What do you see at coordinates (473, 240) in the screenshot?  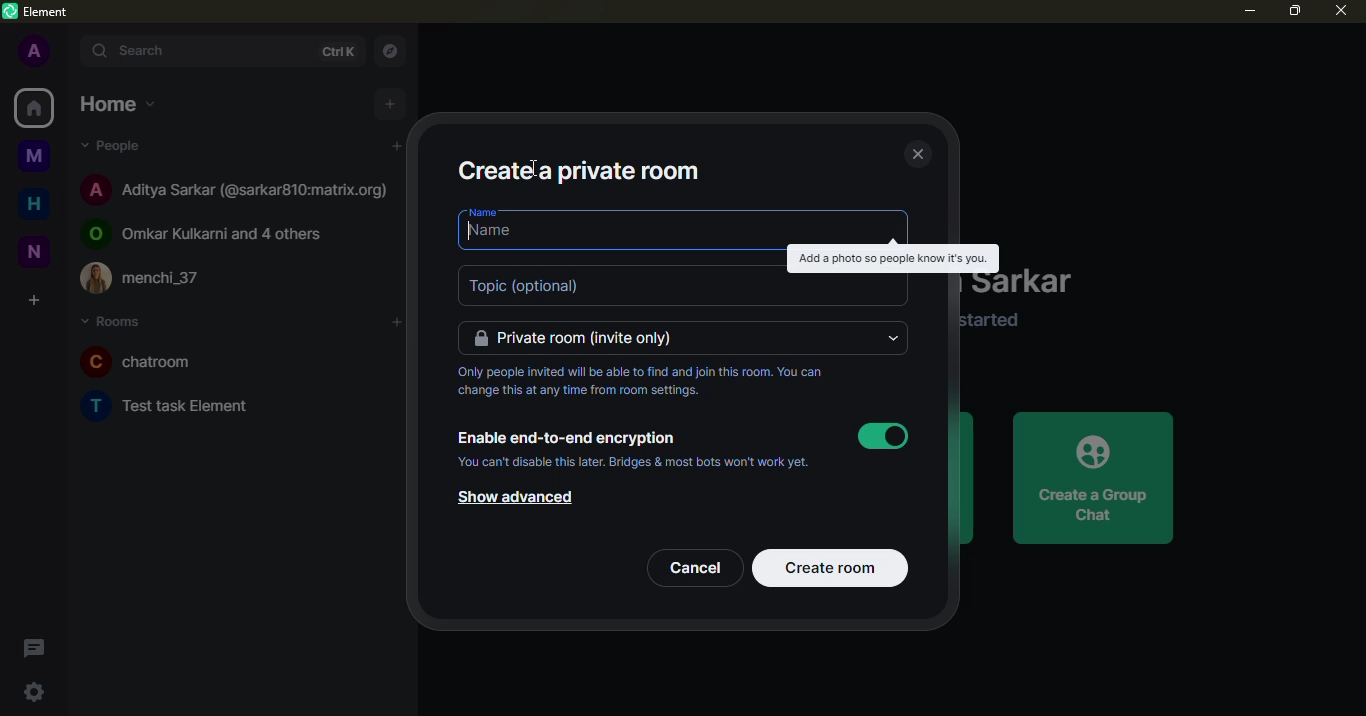 I see `cursor` at bounding box center [473, 240].